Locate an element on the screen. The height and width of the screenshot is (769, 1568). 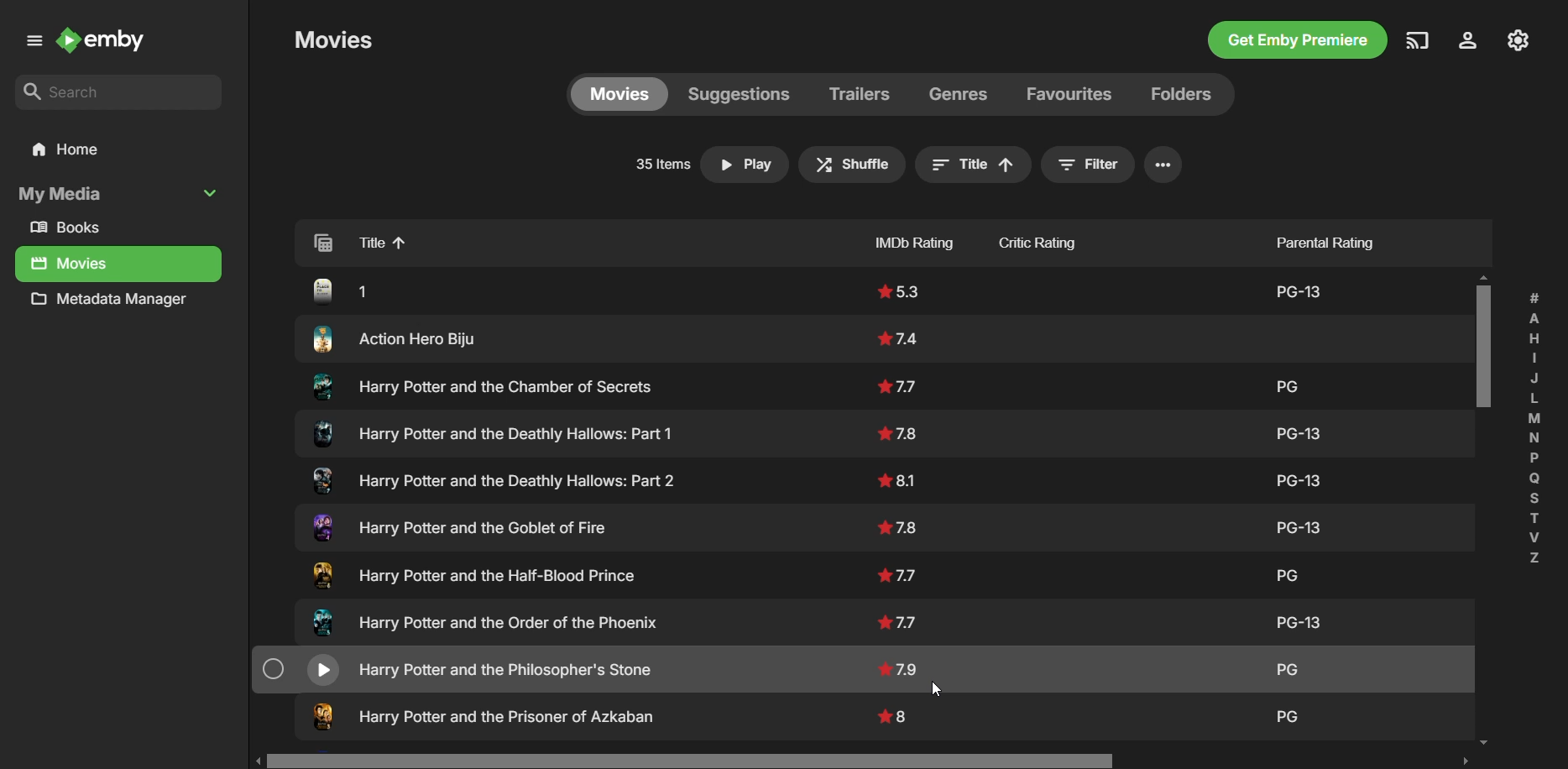
Folders is located at coordinates (1177, 94).